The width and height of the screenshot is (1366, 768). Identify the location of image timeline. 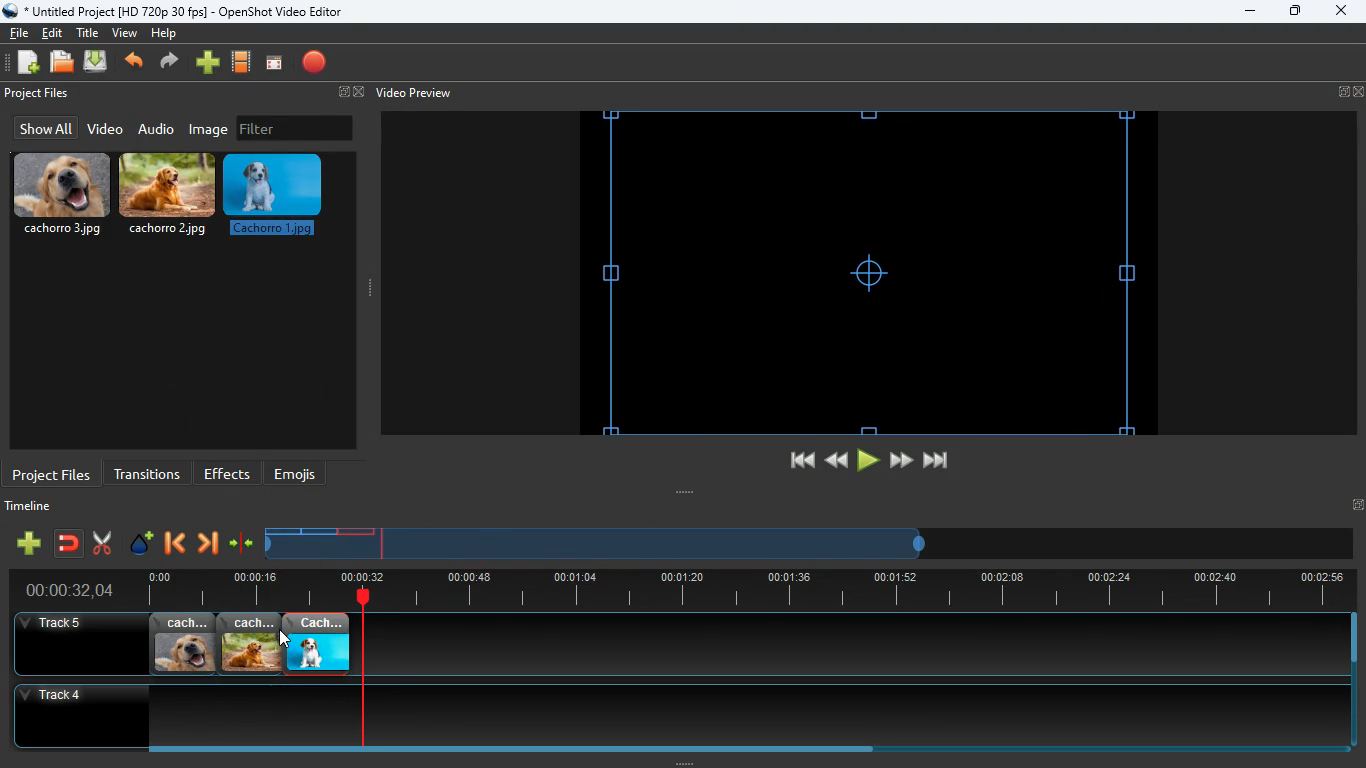
(282, 531).